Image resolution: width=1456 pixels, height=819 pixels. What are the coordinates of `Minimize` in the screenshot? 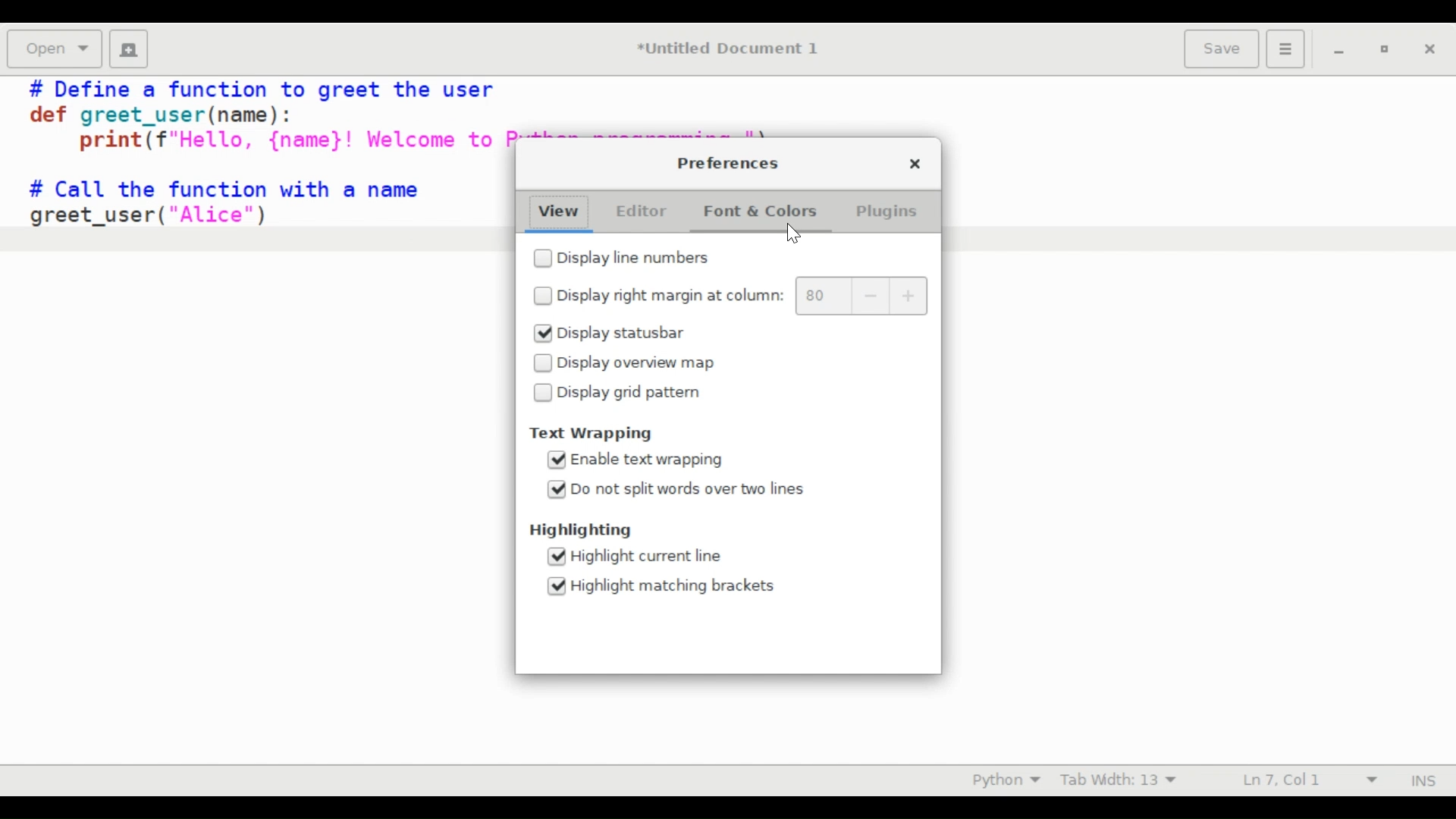 It's located at (1338, 48).